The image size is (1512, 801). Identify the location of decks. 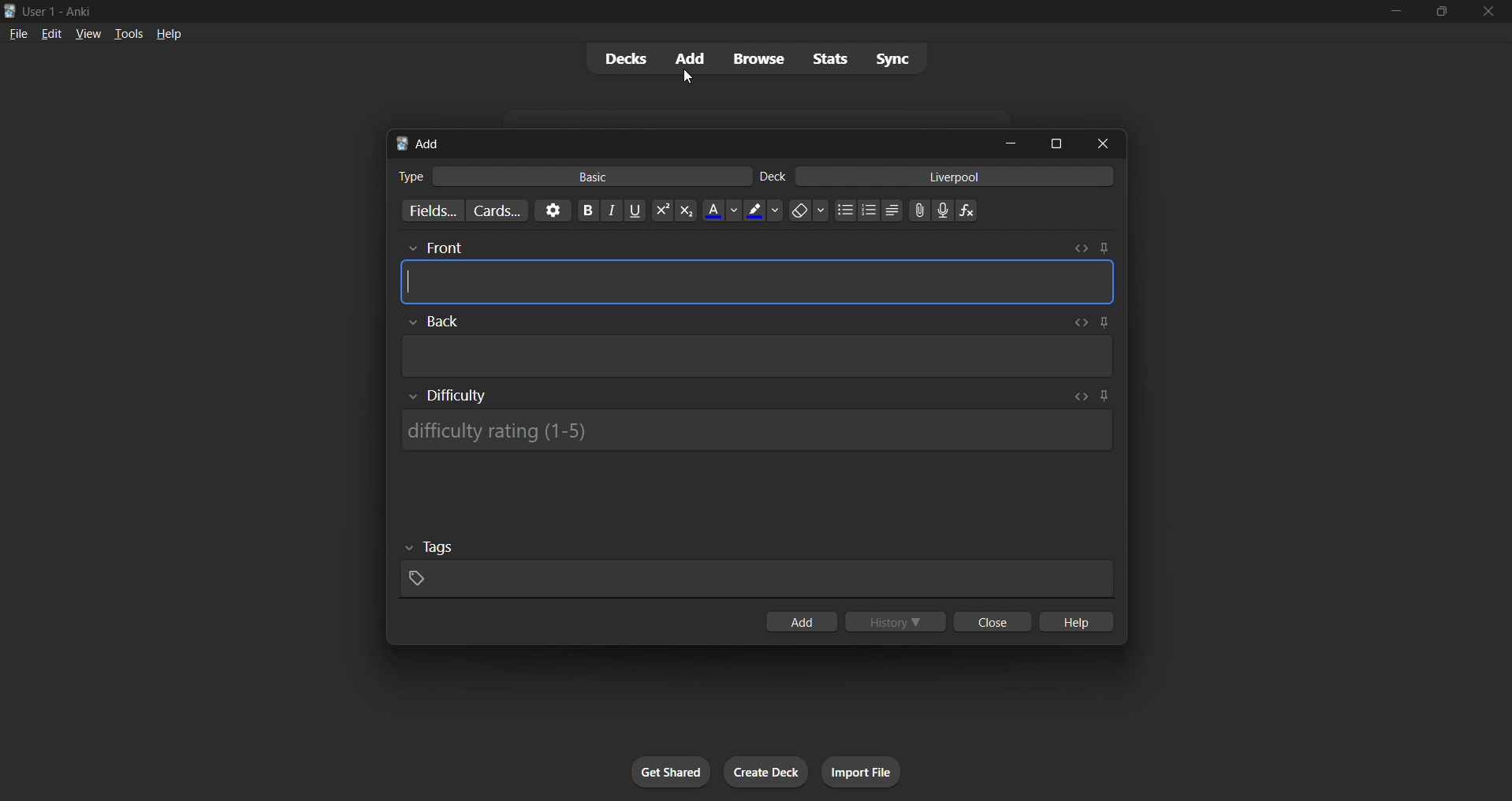
(619, 61).